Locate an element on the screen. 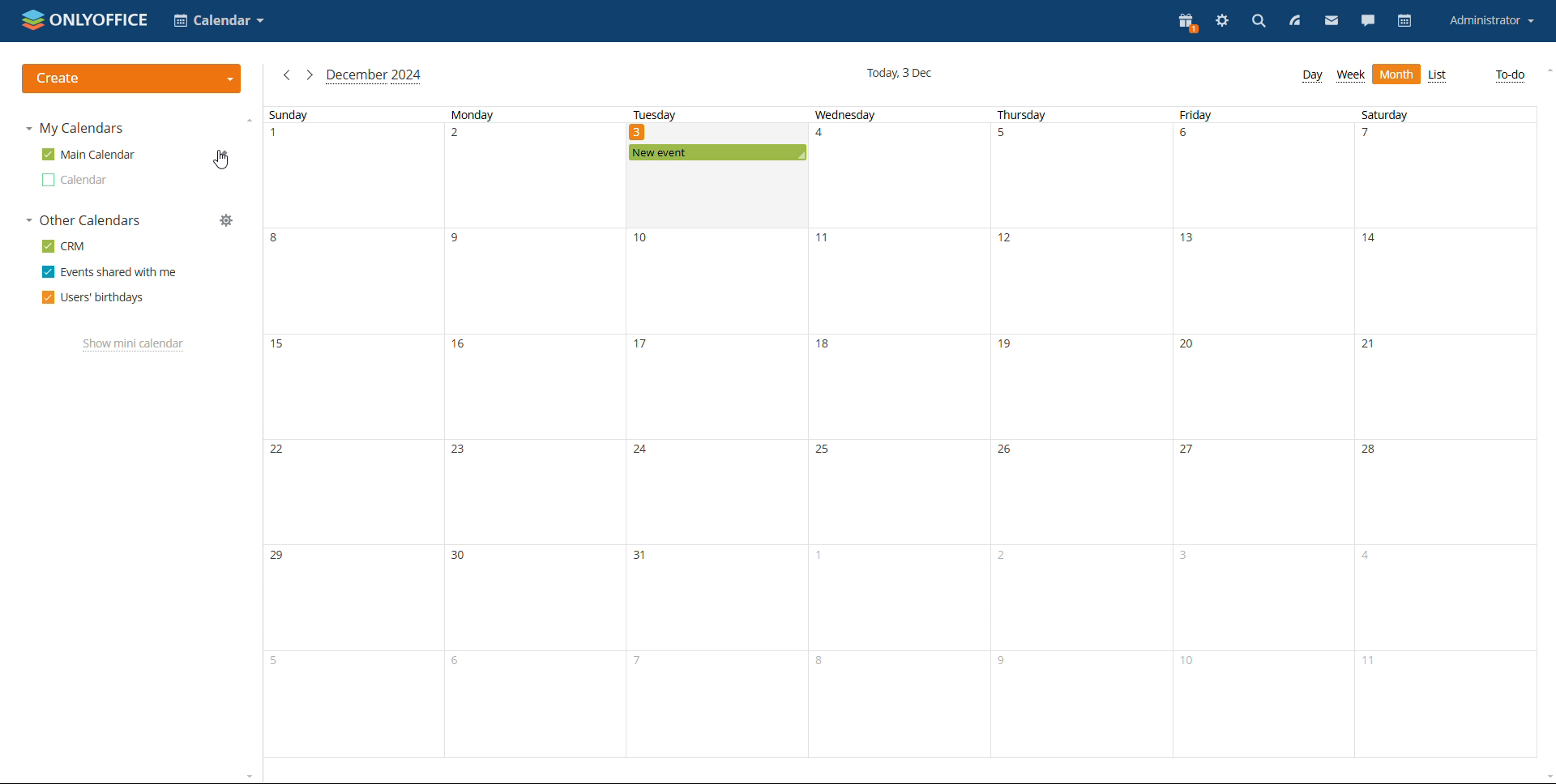 The width and height of the screenshot is (1556, 784). date is located at coordinates (1445, 597).